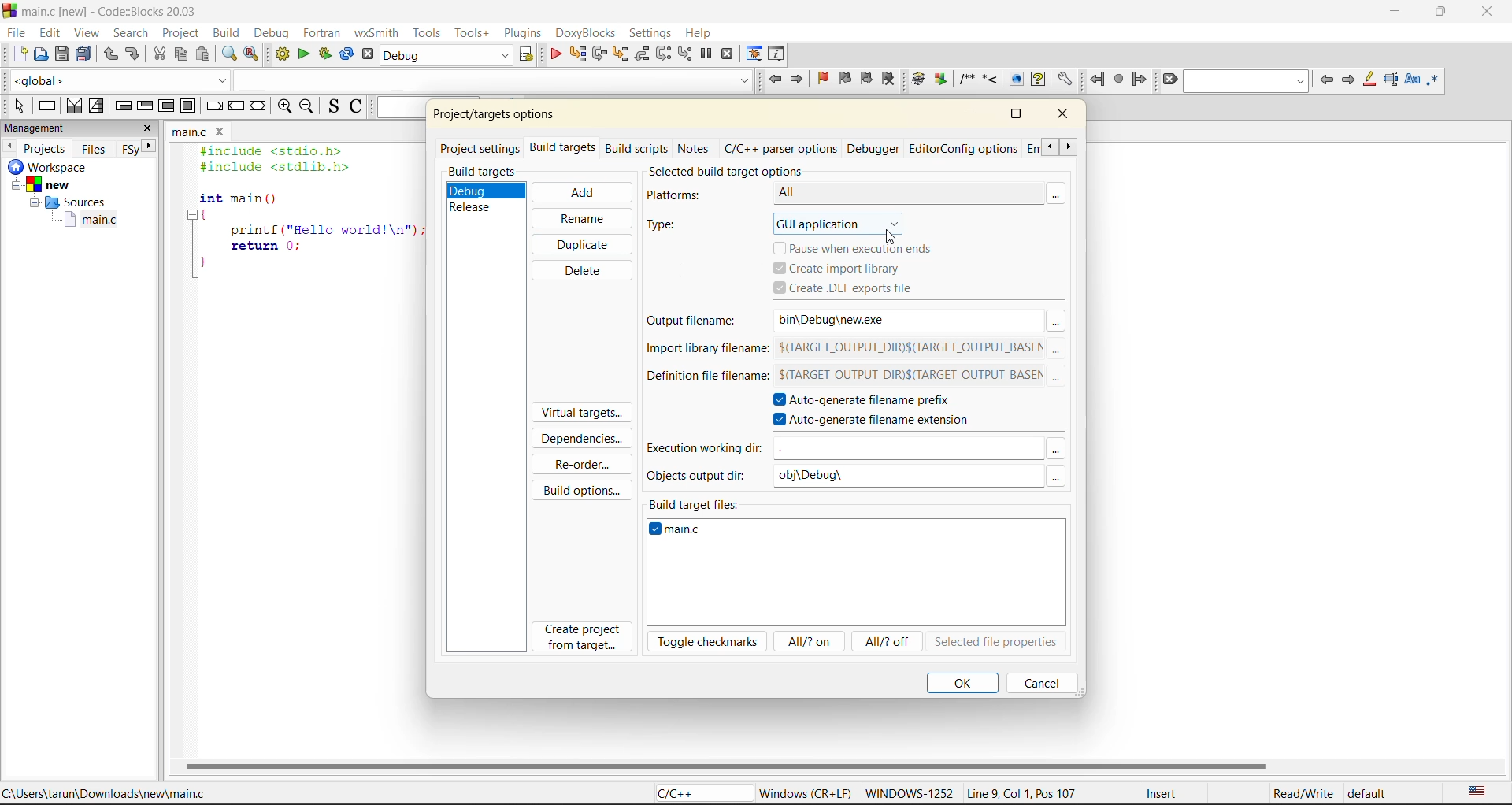 The image size is (1512, 805). Describe the element at coordinates (580, 270) in the screenshot. I see `delete` at that location.